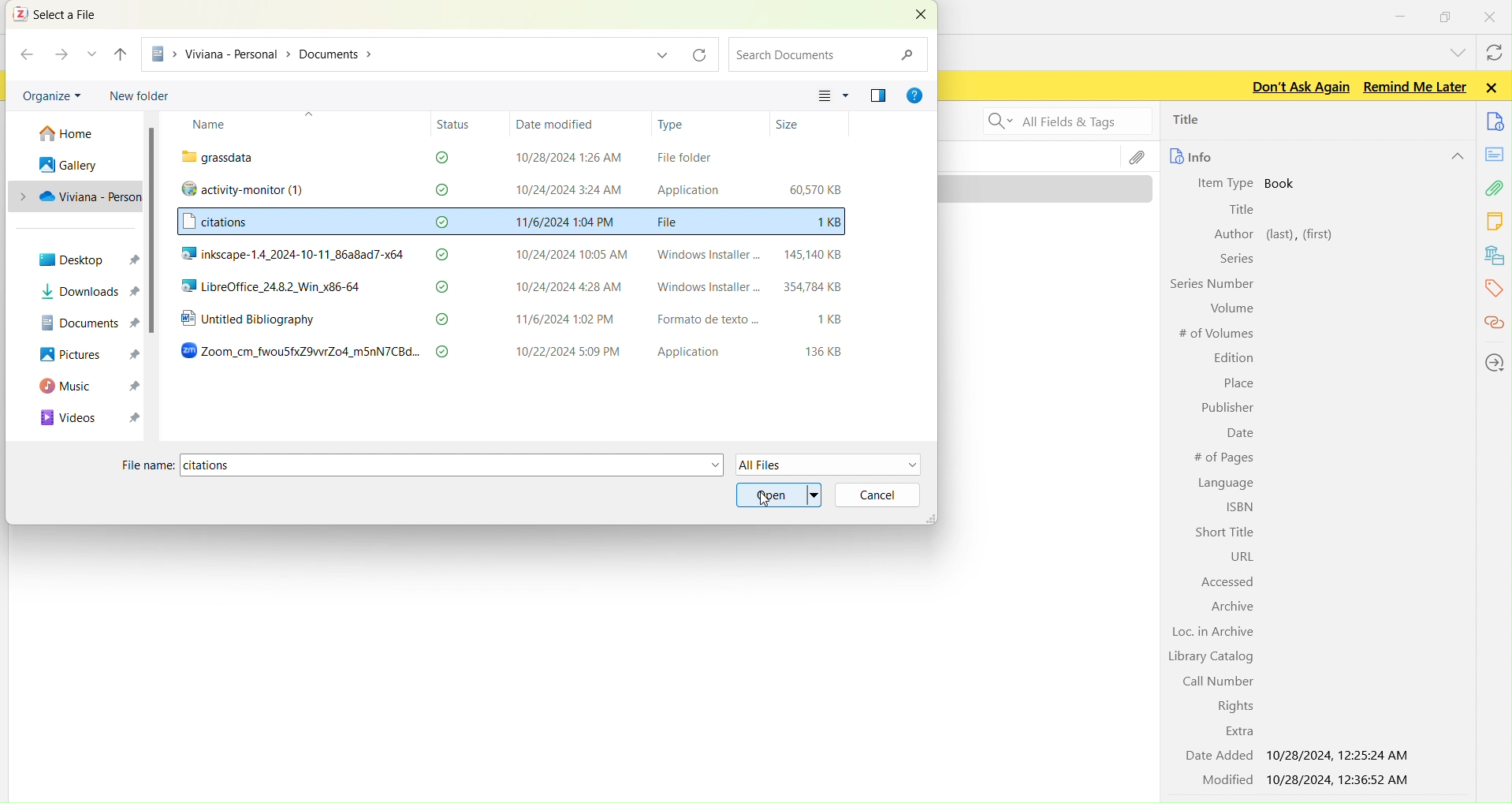 The height and width of the screenshot is (803, 1512). Describe the element at coordinates (673, 222) in the screenshot. I see `File` at that location.